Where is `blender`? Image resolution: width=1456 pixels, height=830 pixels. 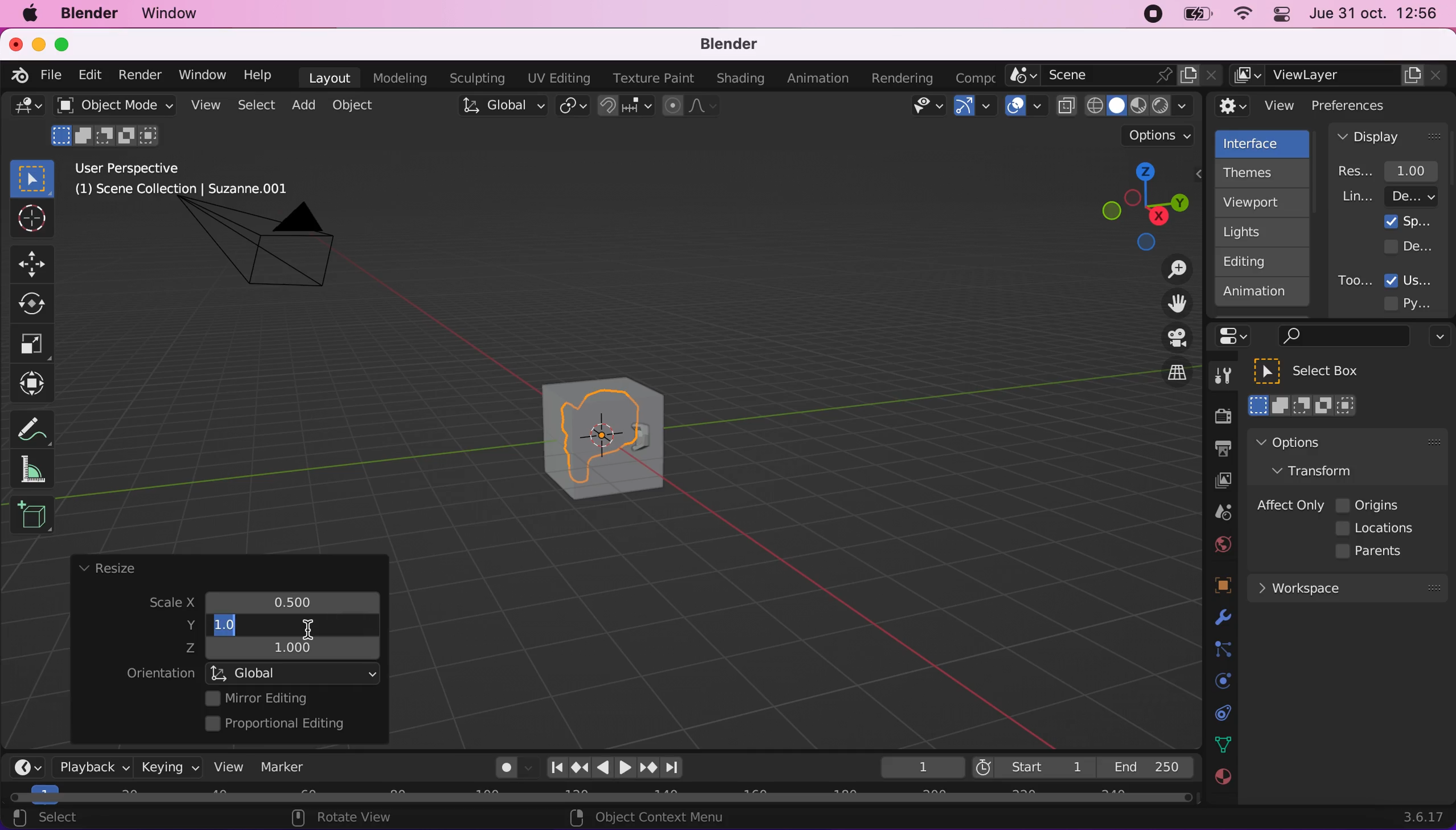 blender is located at coordinates (15, 74).